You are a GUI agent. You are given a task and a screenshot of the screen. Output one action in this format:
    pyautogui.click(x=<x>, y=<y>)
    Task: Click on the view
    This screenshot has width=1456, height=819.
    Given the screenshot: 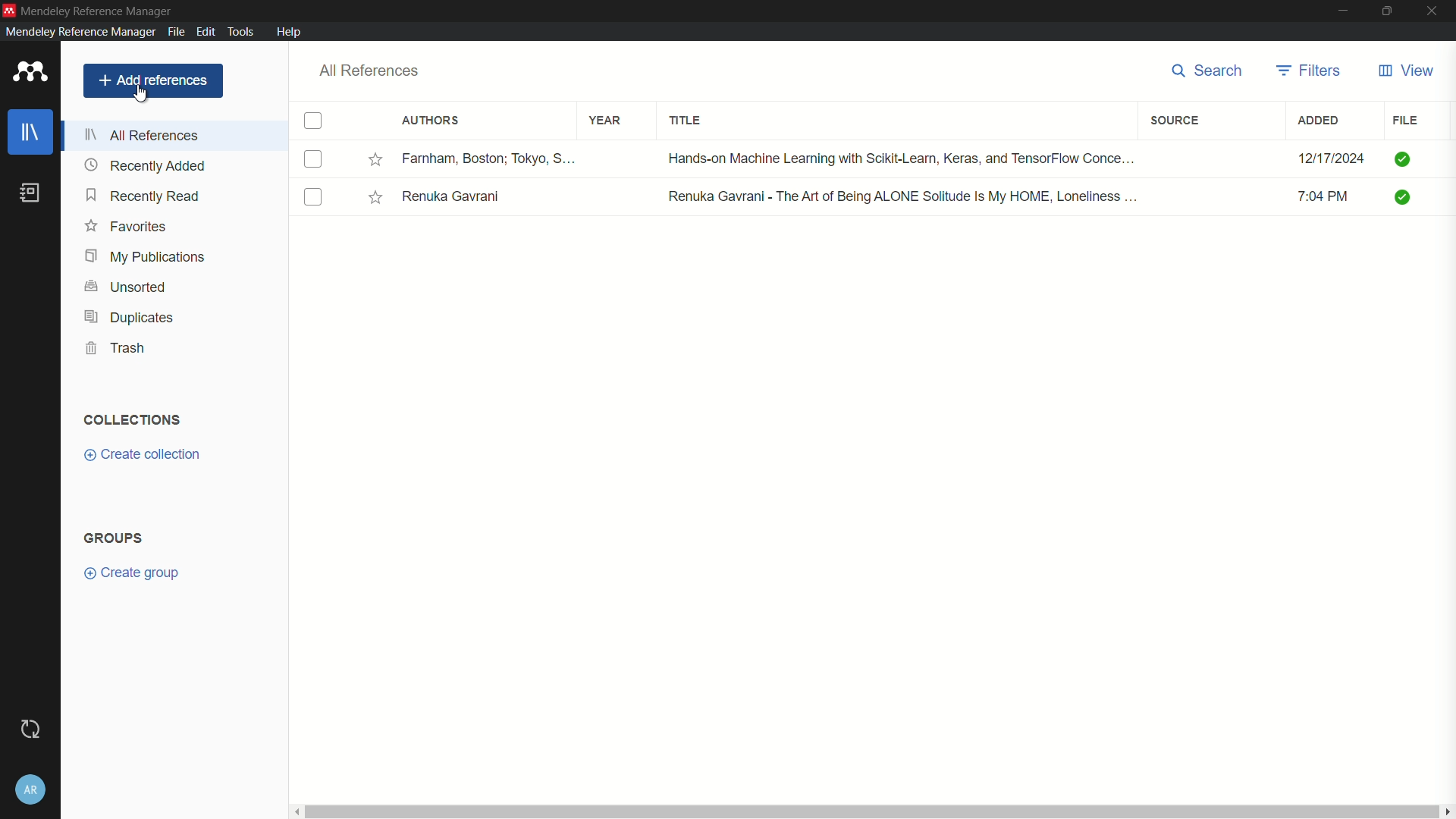 What is the action you would take?
    pyautogui.click(x=1405, y=71)
    